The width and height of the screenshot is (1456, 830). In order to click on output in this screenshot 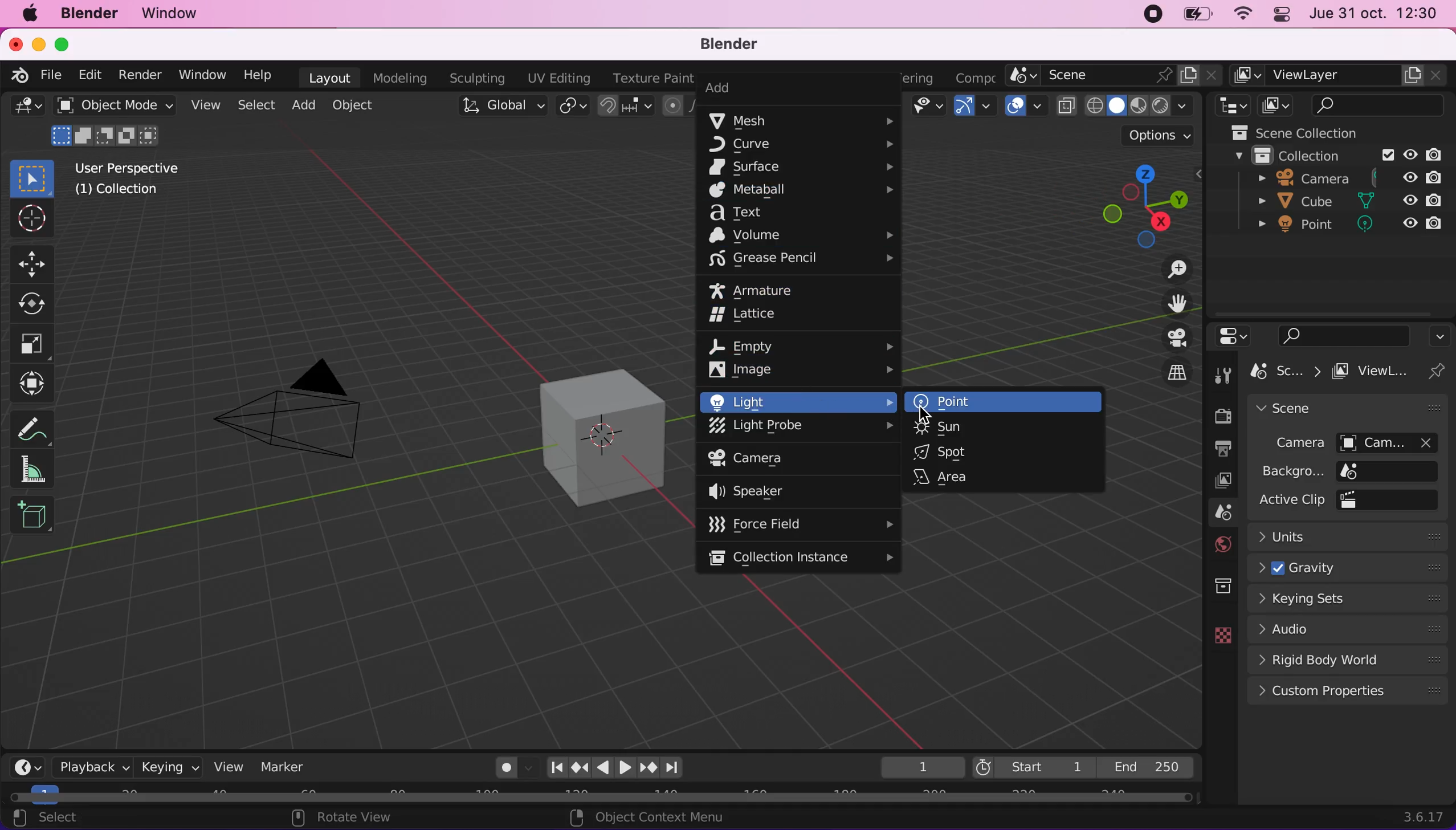, I will do `click(1221, 447)`.